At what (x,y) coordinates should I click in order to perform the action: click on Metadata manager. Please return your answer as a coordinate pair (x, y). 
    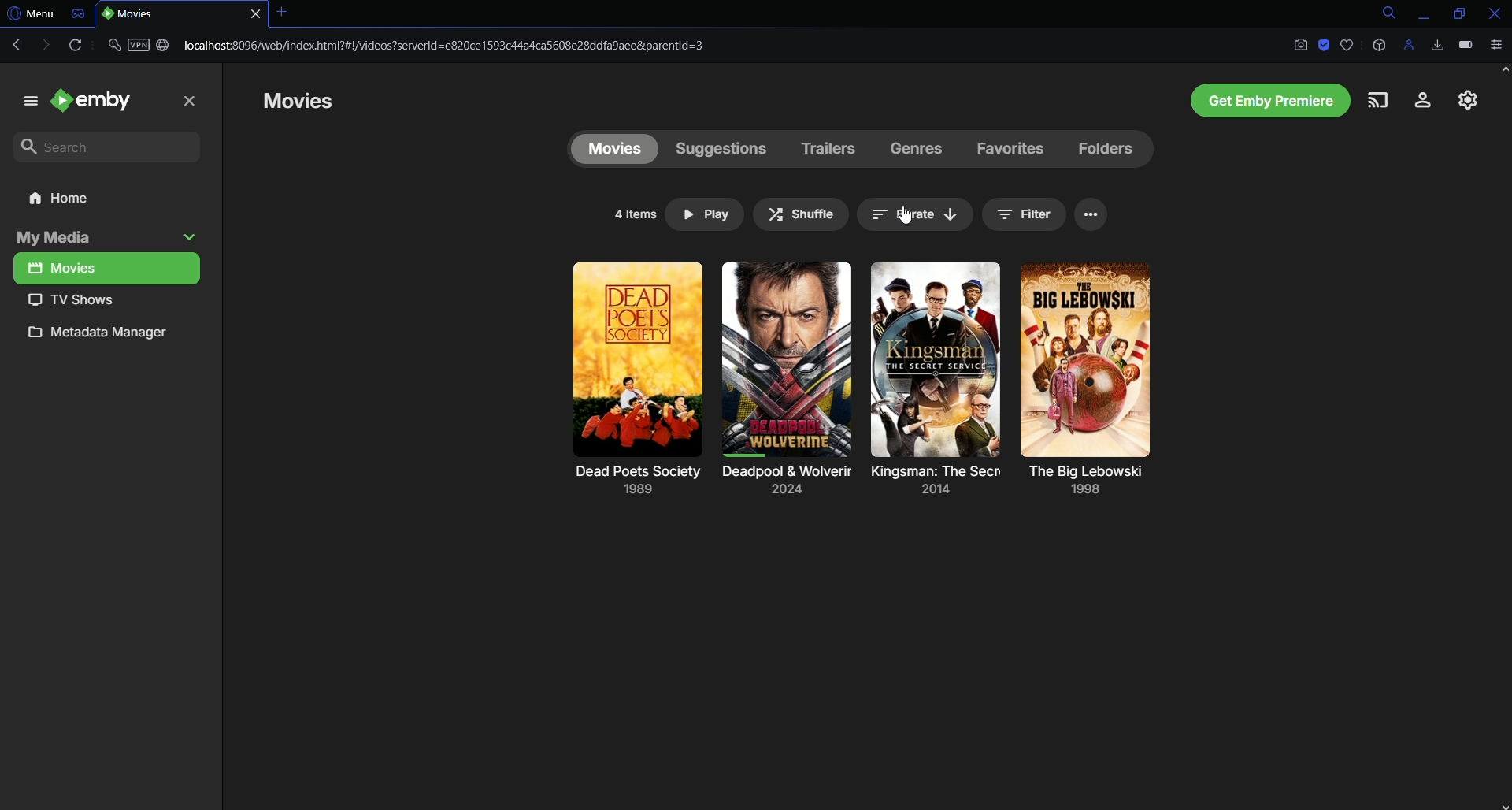
    Looking at the image, I should click on (106, 336).